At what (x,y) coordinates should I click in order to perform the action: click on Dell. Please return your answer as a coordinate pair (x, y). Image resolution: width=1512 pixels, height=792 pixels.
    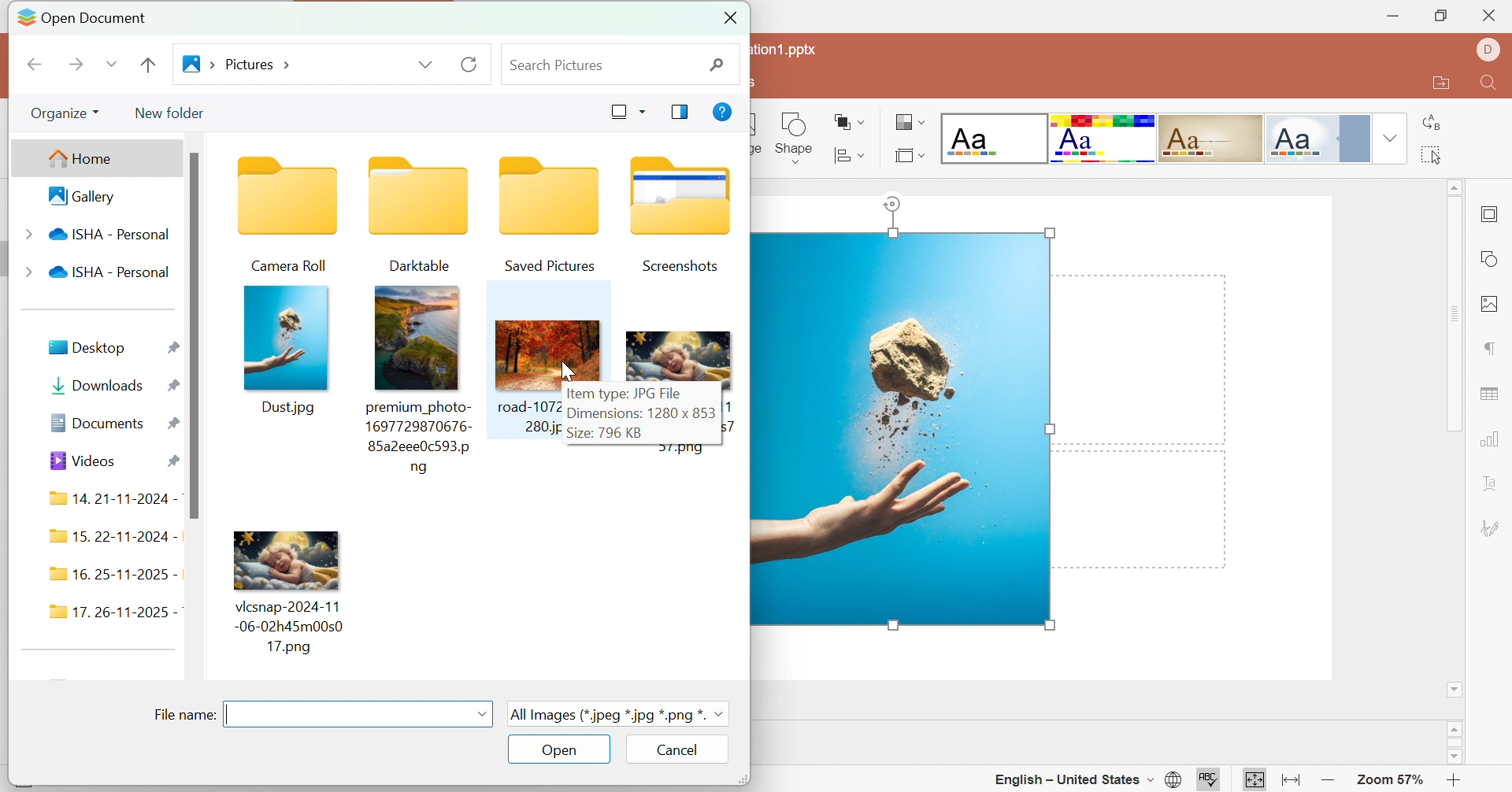
    Looking at the image, I should click on (1488, 51).